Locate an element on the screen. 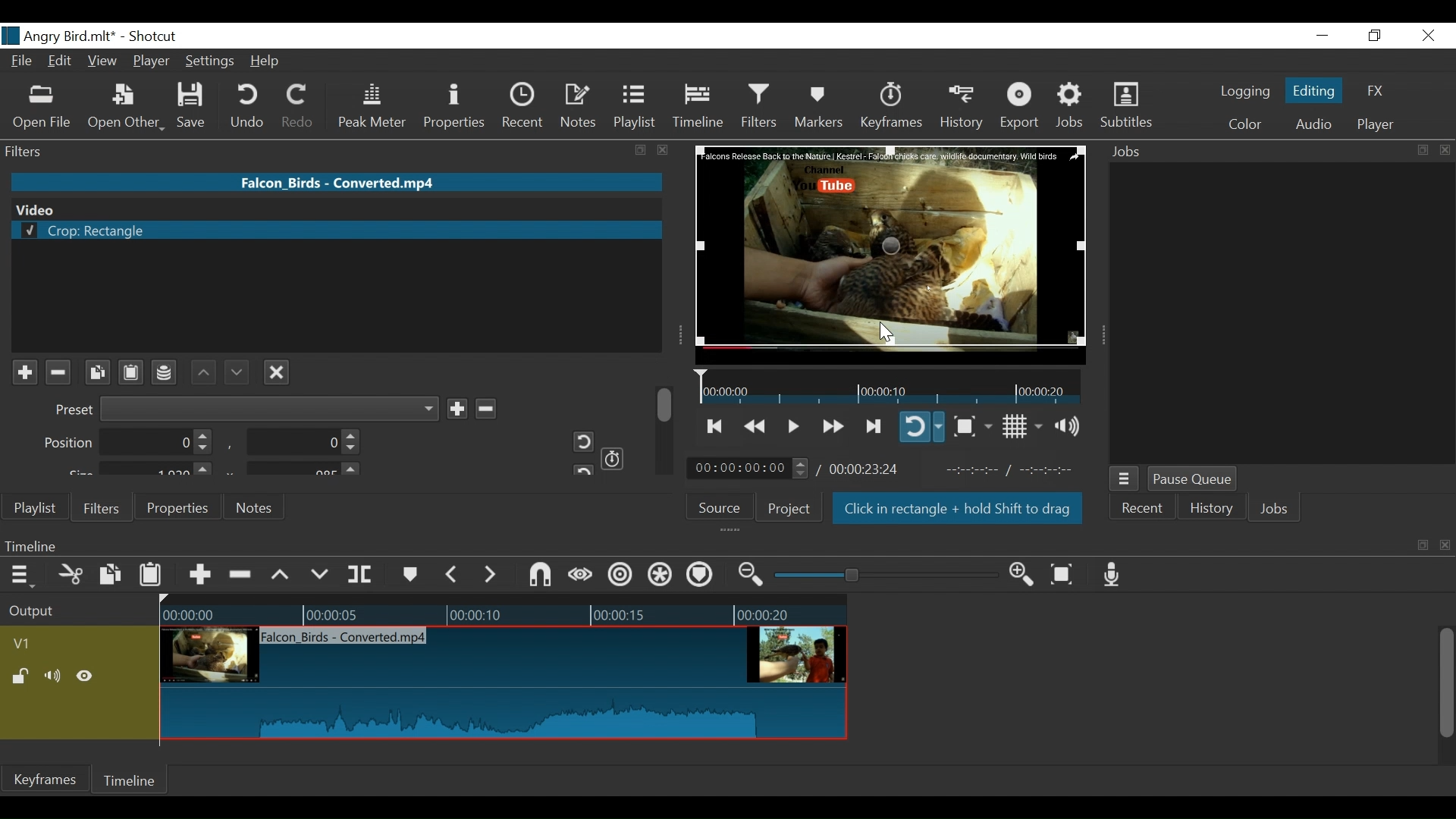 The height and width of the screenshot is (819, 1456). Media Viewer is located at coordinates (891, 254).